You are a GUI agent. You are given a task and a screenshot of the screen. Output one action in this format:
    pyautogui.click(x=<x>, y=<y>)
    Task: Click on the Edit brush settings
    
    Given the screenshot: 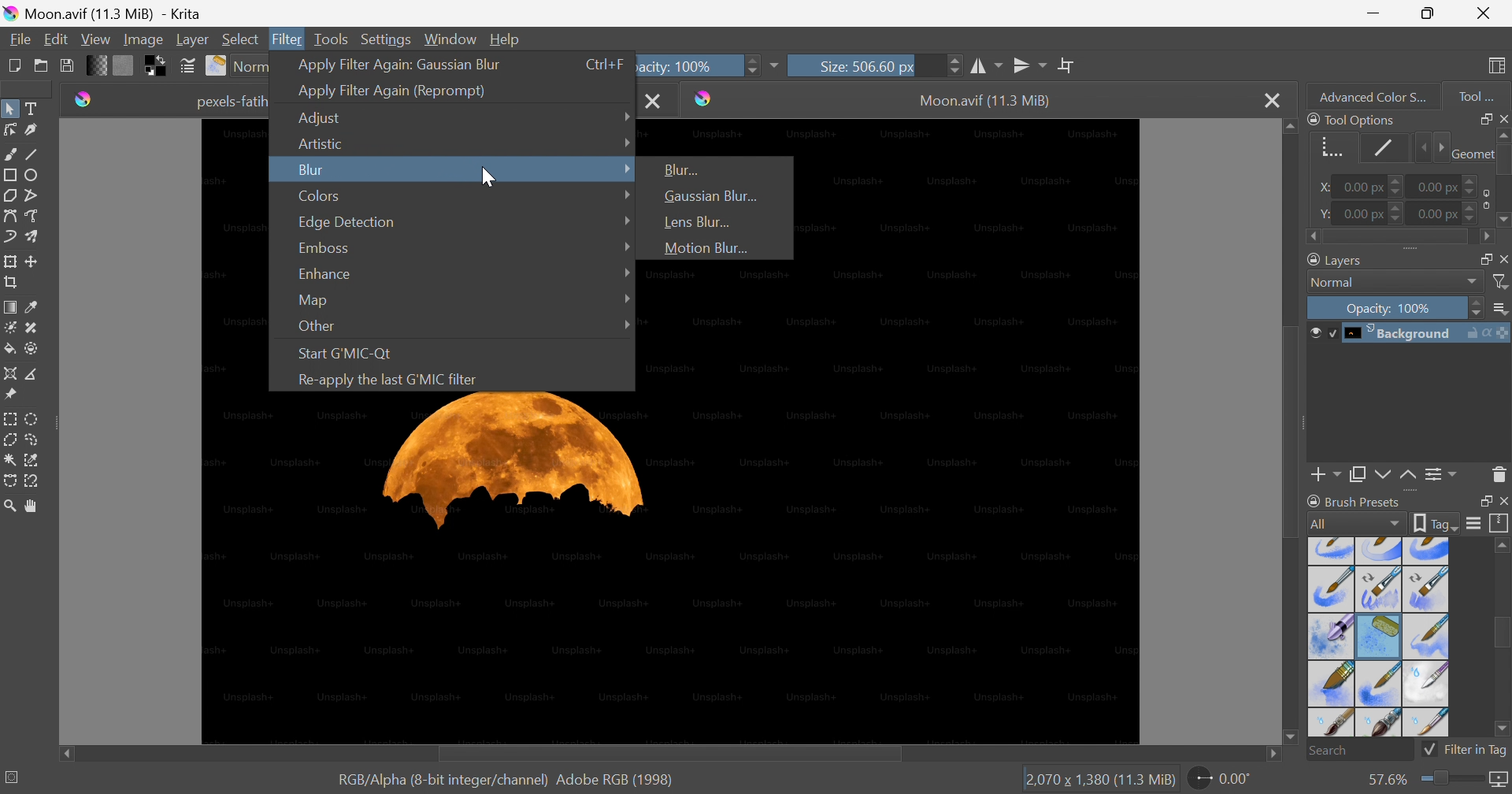 What is the action you would take?
    pyautogui.click(x=185, y=64)
    